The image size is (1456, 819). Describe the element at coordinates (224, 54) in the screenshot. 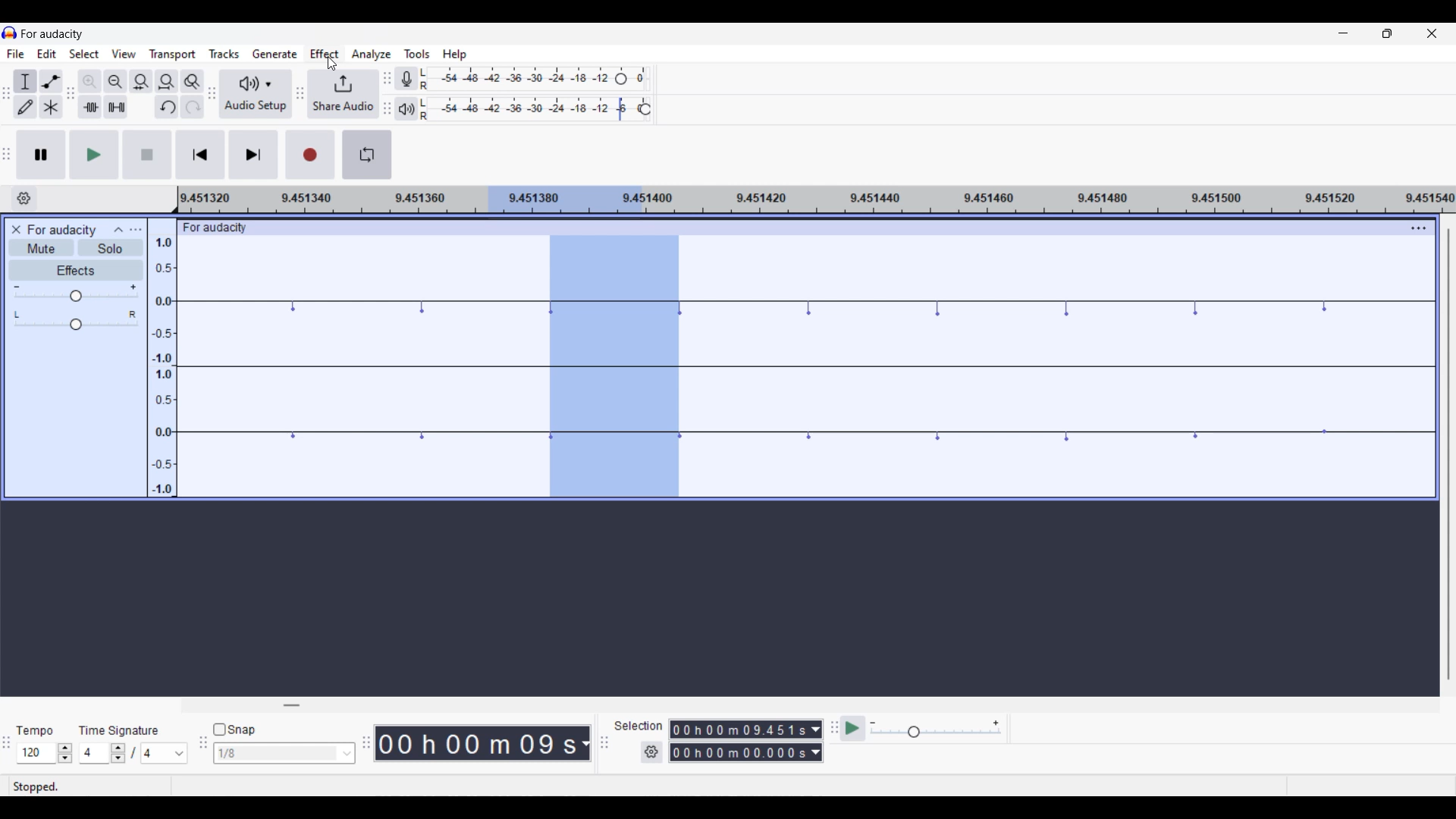

I see `Tracks menu` at that location.